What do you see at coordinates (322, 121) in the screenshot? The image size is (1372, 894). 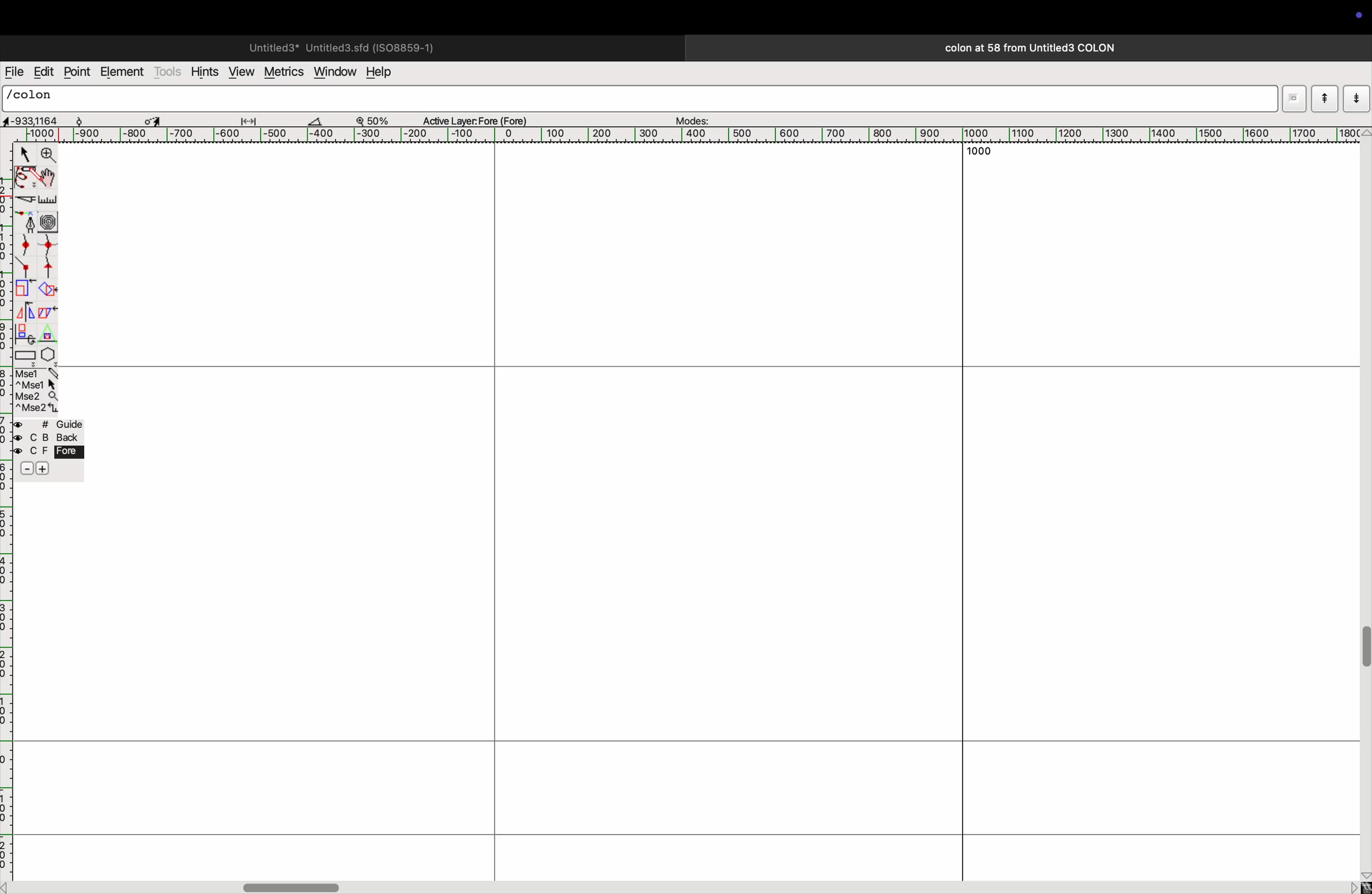 I see `cut` at bounding box center [322, 121].